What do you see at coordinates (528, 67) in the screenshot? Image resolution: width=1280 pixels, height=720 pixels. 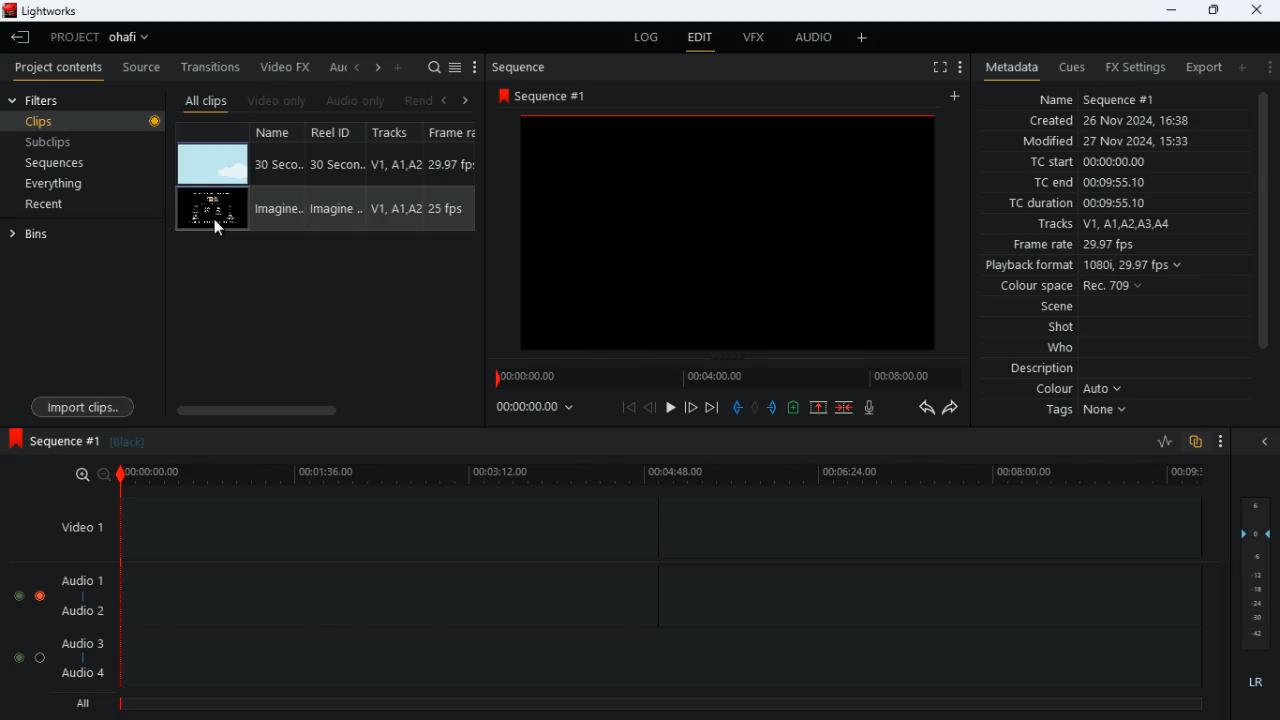 I see `sequence` at bounding box center [528, 67].